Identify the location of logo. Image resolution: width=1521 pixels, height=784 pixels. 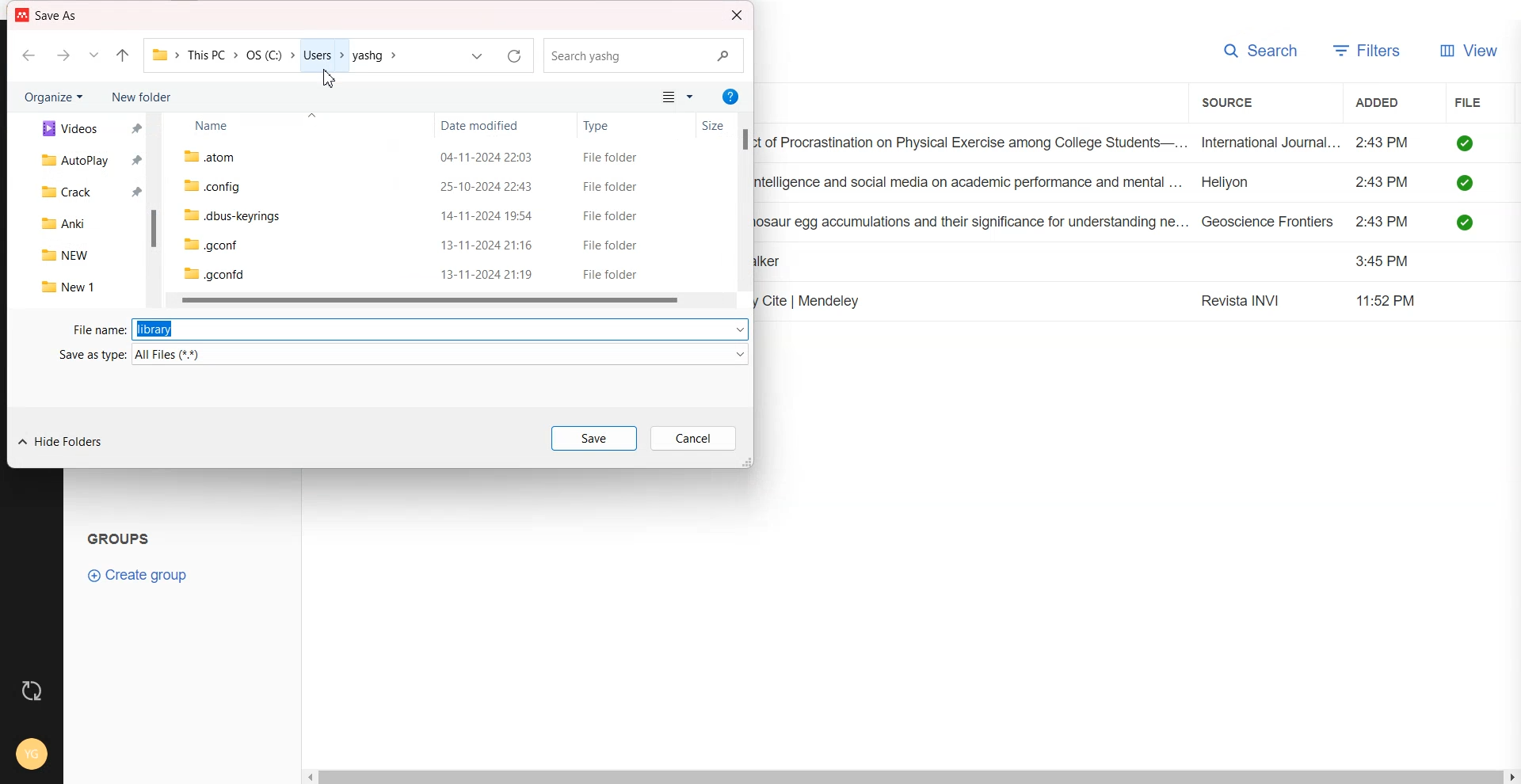
(22, 17).